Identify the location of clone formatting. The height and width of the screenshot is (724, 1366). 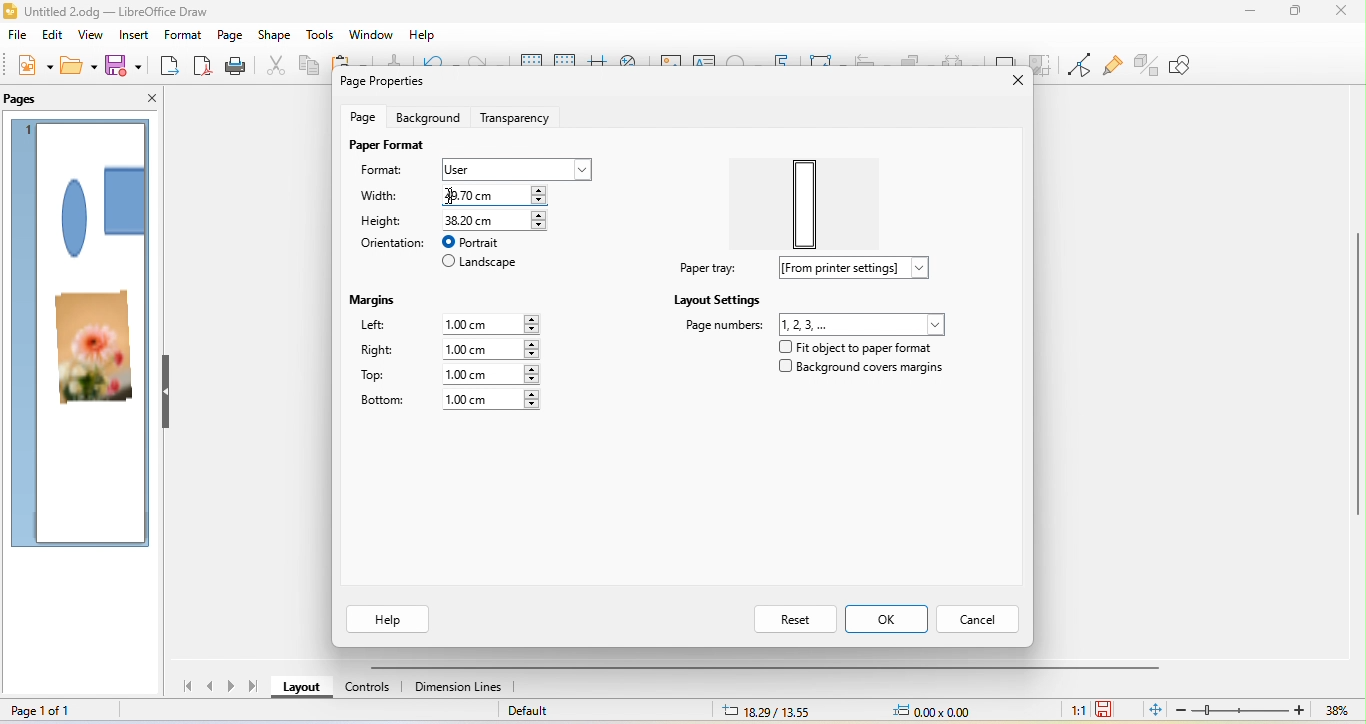
(400, 60).